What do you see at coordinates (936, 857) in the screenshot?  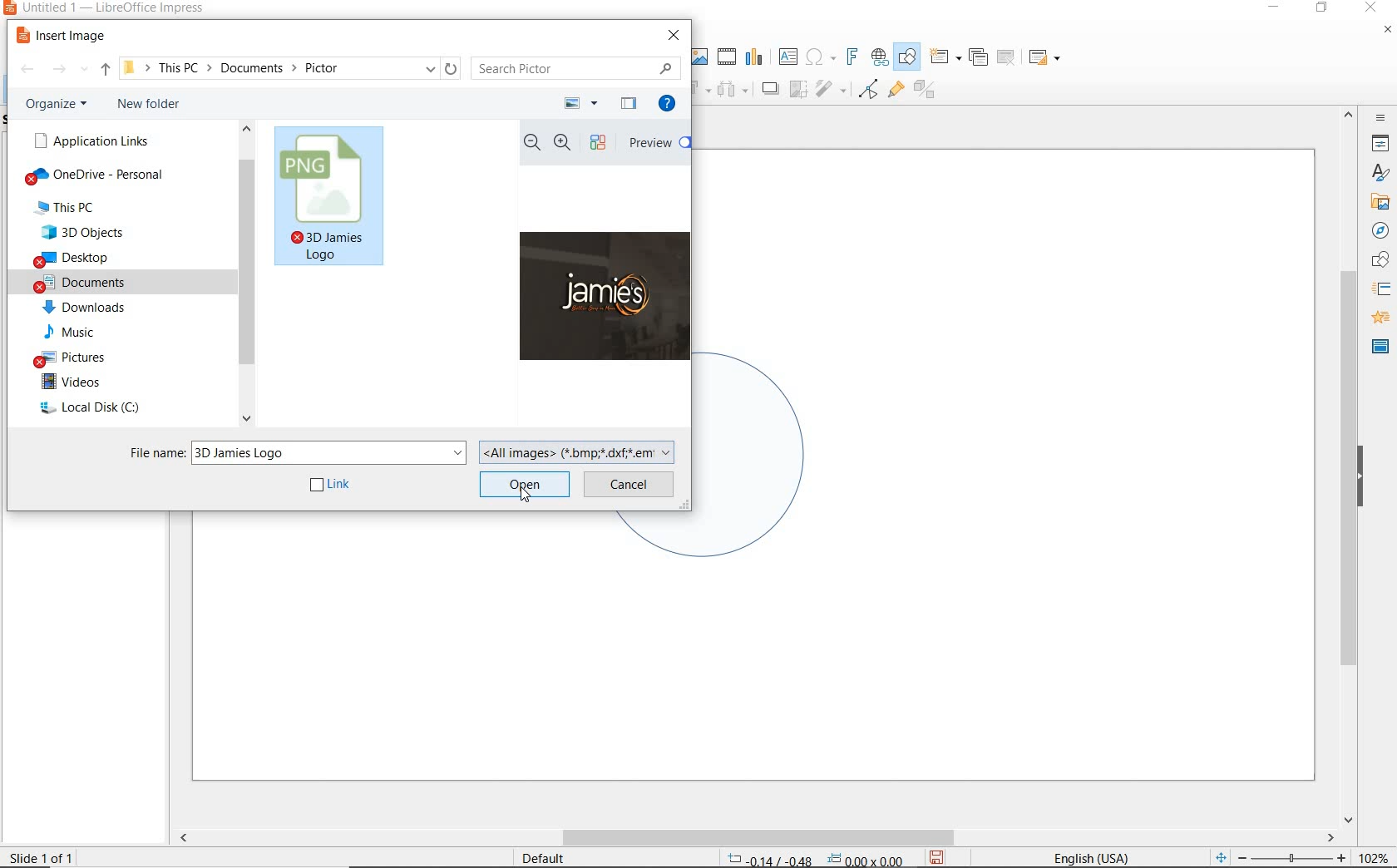 I see `save` at bounding box center [936, 857].